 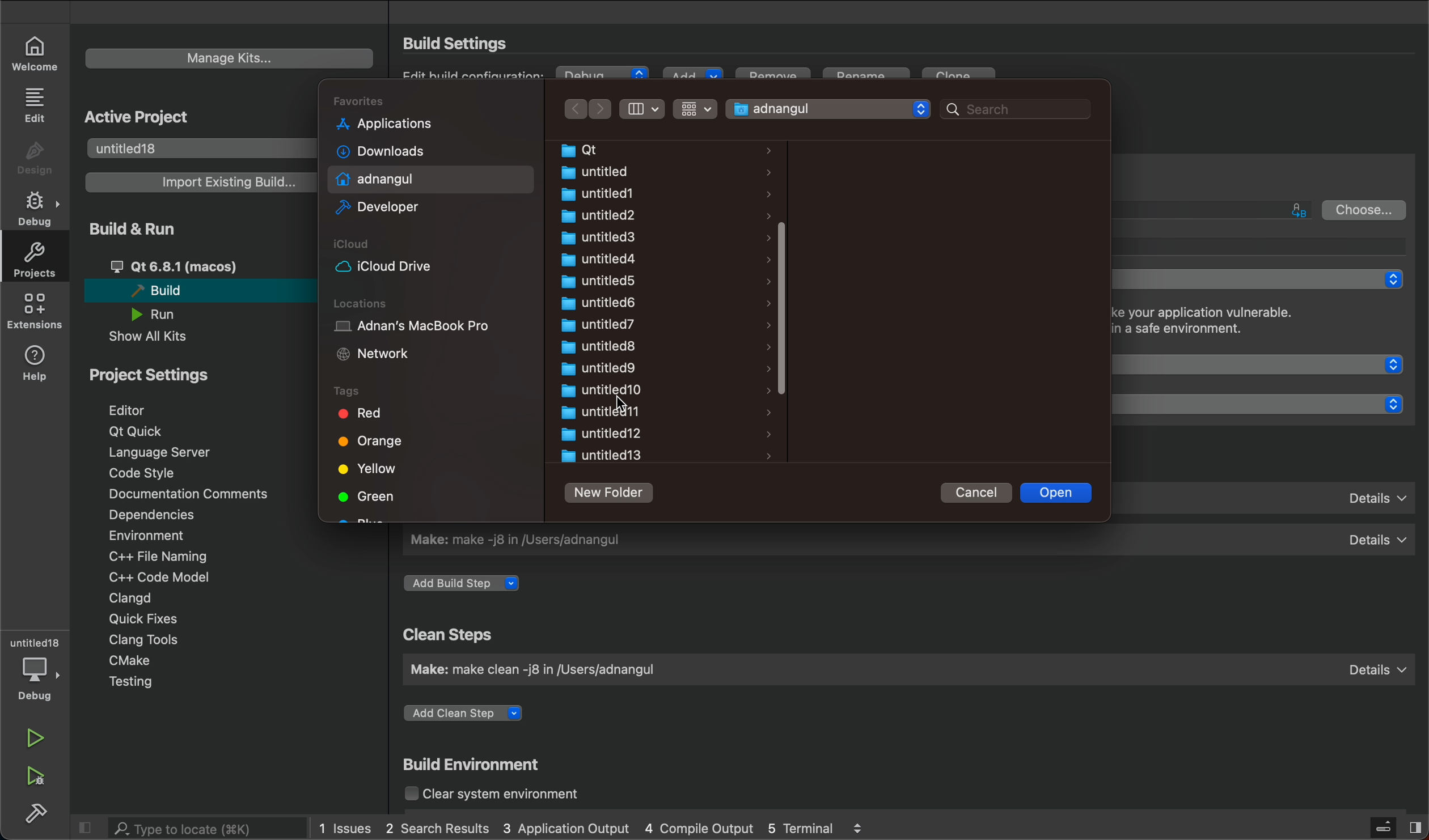 What do you see at coordinates (1375, 665) in the screenshot?
I see `Details` at bounding box center [1375, 665].